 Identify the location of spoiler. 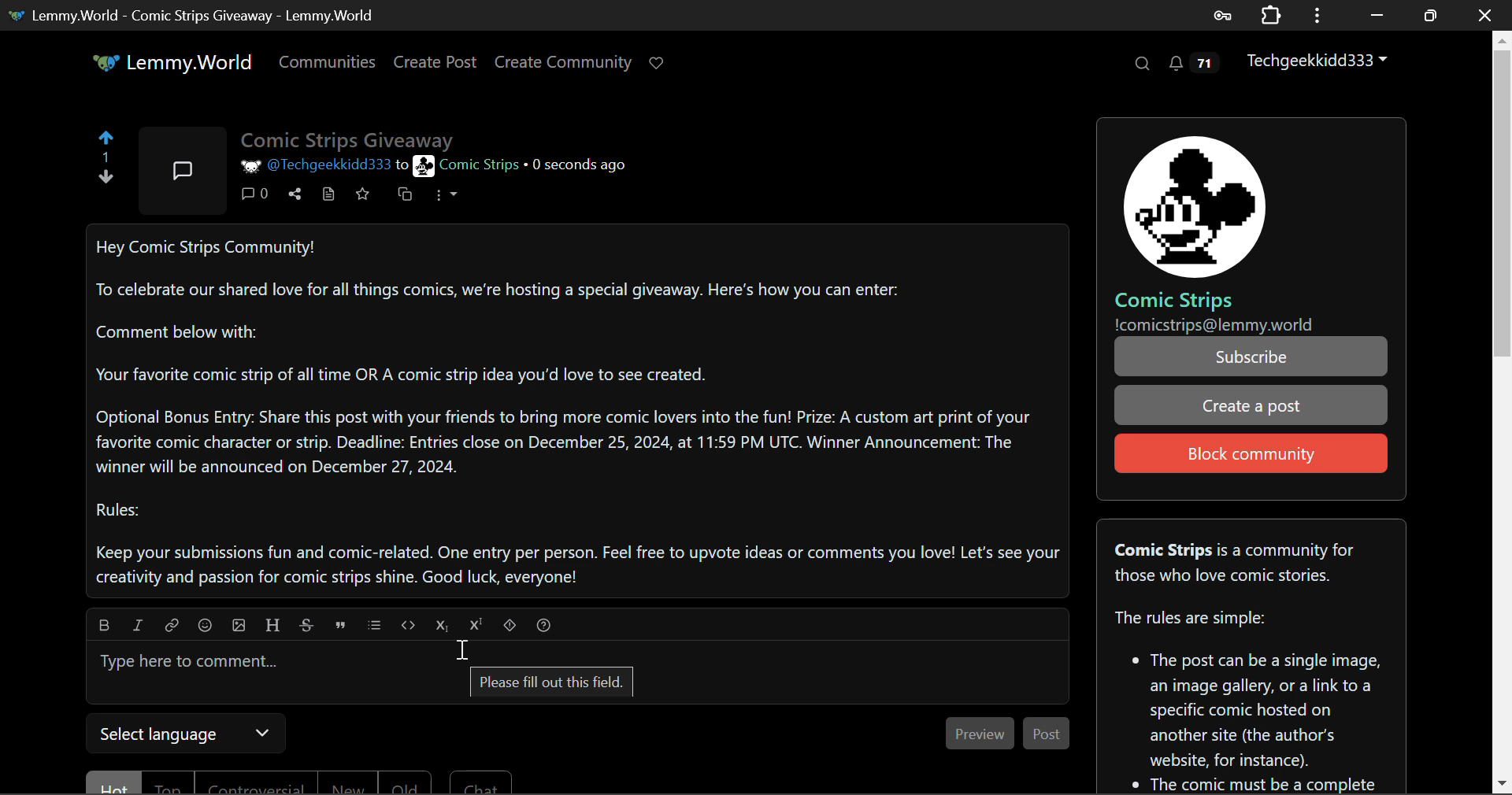
(511, 622).